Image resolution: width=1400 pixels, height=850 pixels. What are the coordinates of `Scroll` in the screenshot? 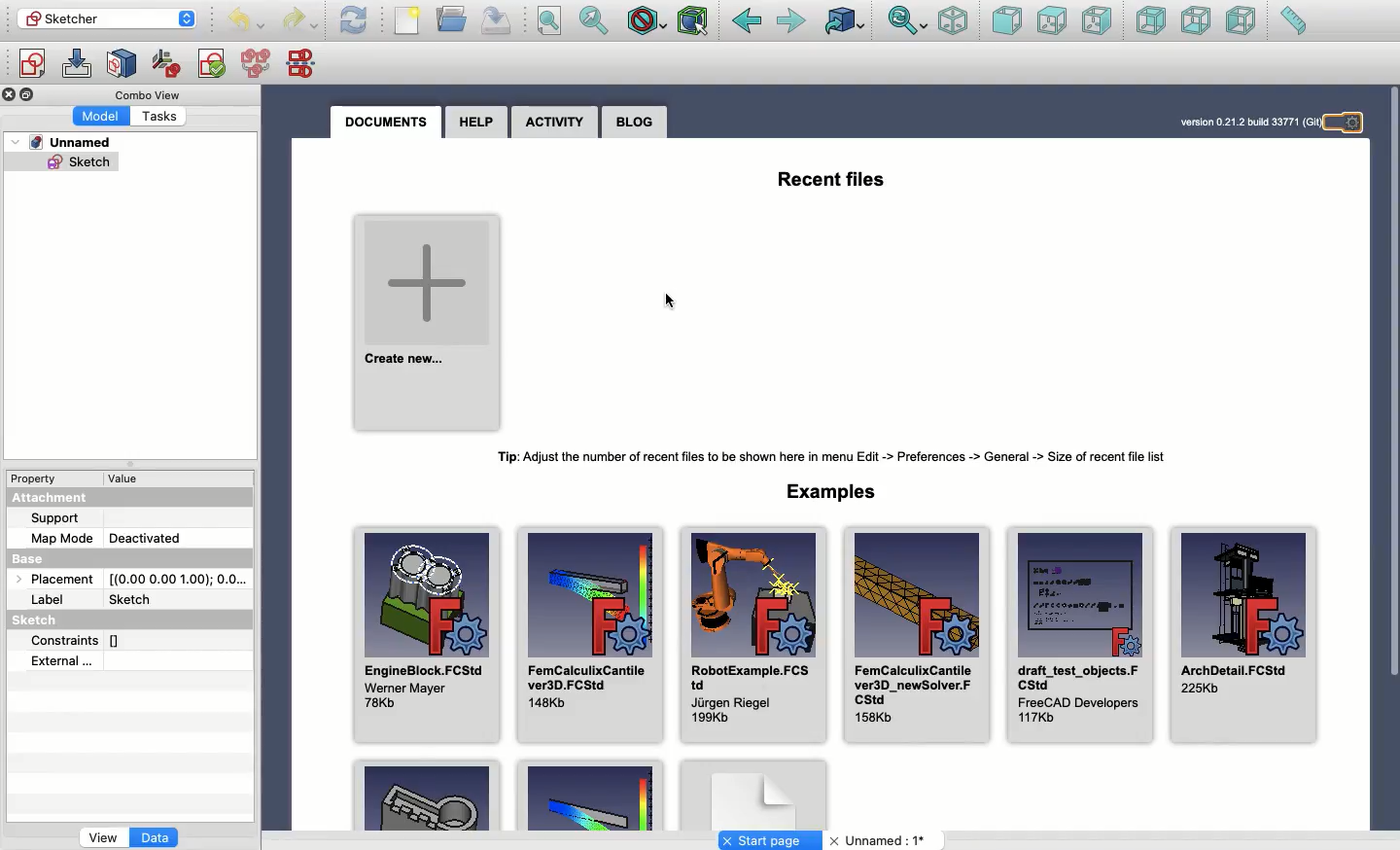 It's located at (1393, 382).